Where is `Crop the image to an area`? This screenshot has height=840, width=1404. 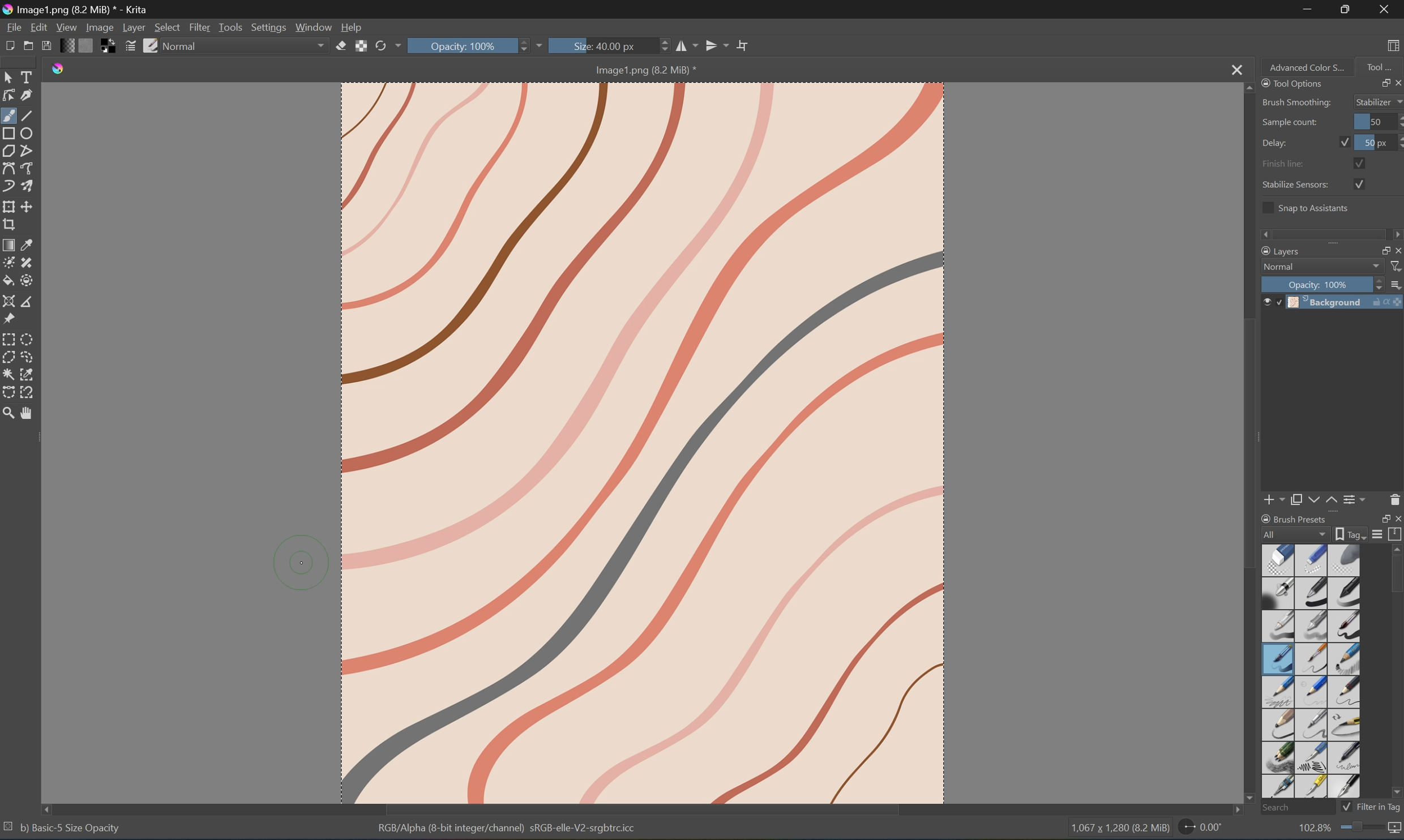 Crop the image to an area is located at coordinates (9, 225).